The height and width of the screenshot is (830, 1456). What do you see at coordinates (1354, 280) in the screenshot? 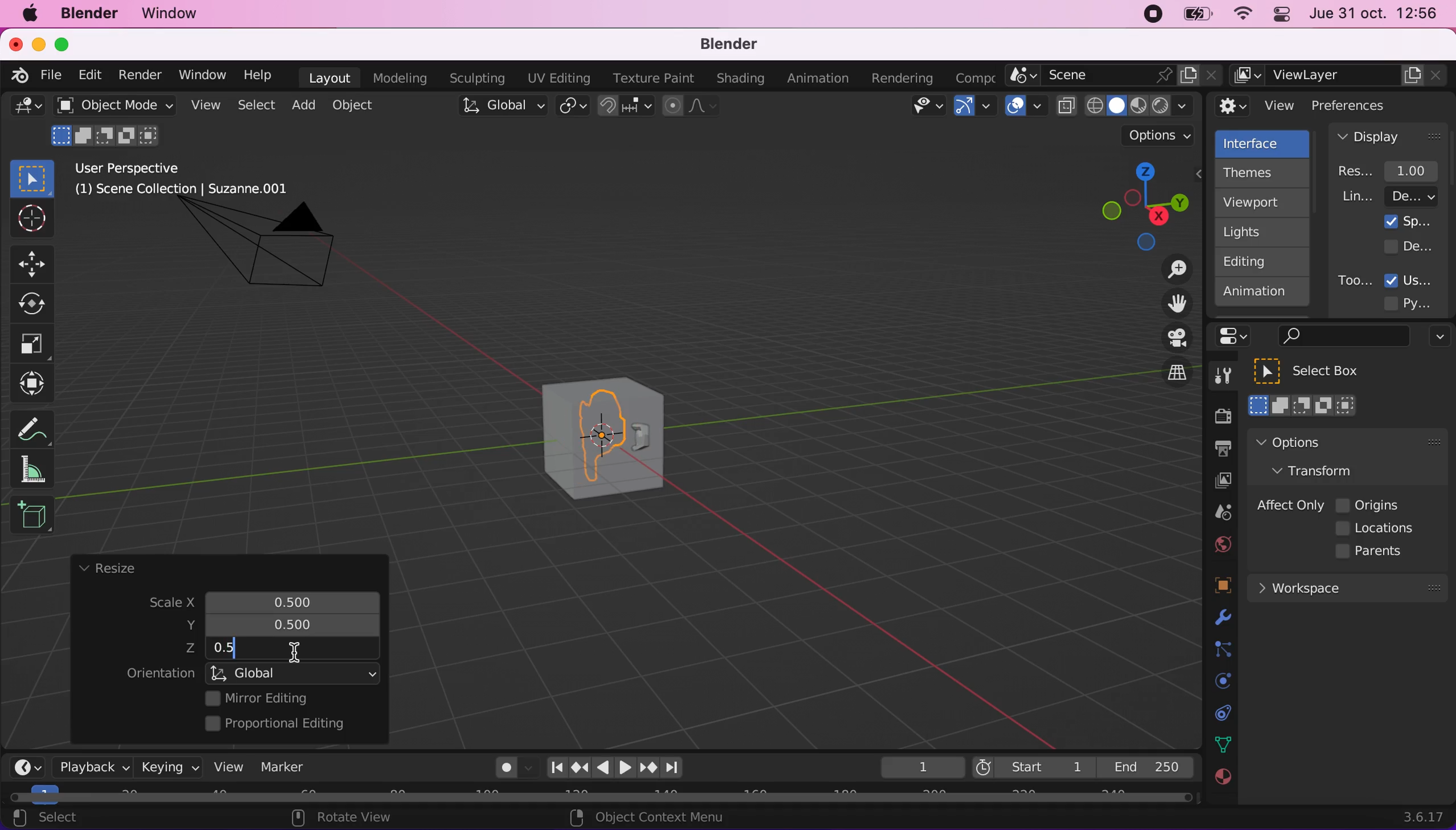
I see `tooltips` at bounding box center [1354, 280].